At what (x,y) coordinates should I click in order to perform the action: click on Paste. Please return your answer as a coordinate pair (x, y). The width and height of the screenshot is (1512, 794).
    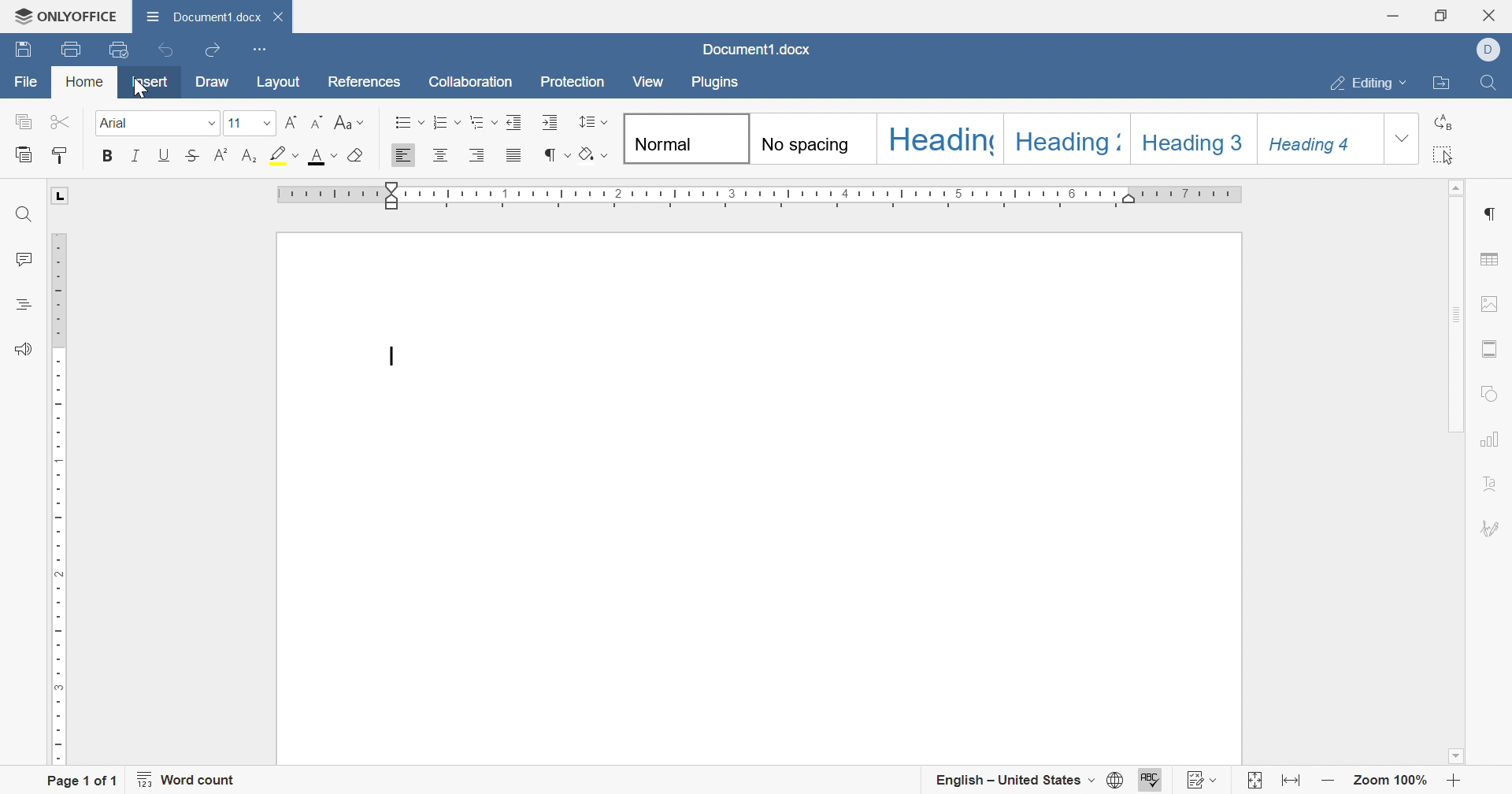
    Looking at the image, I should click on (26, 154).